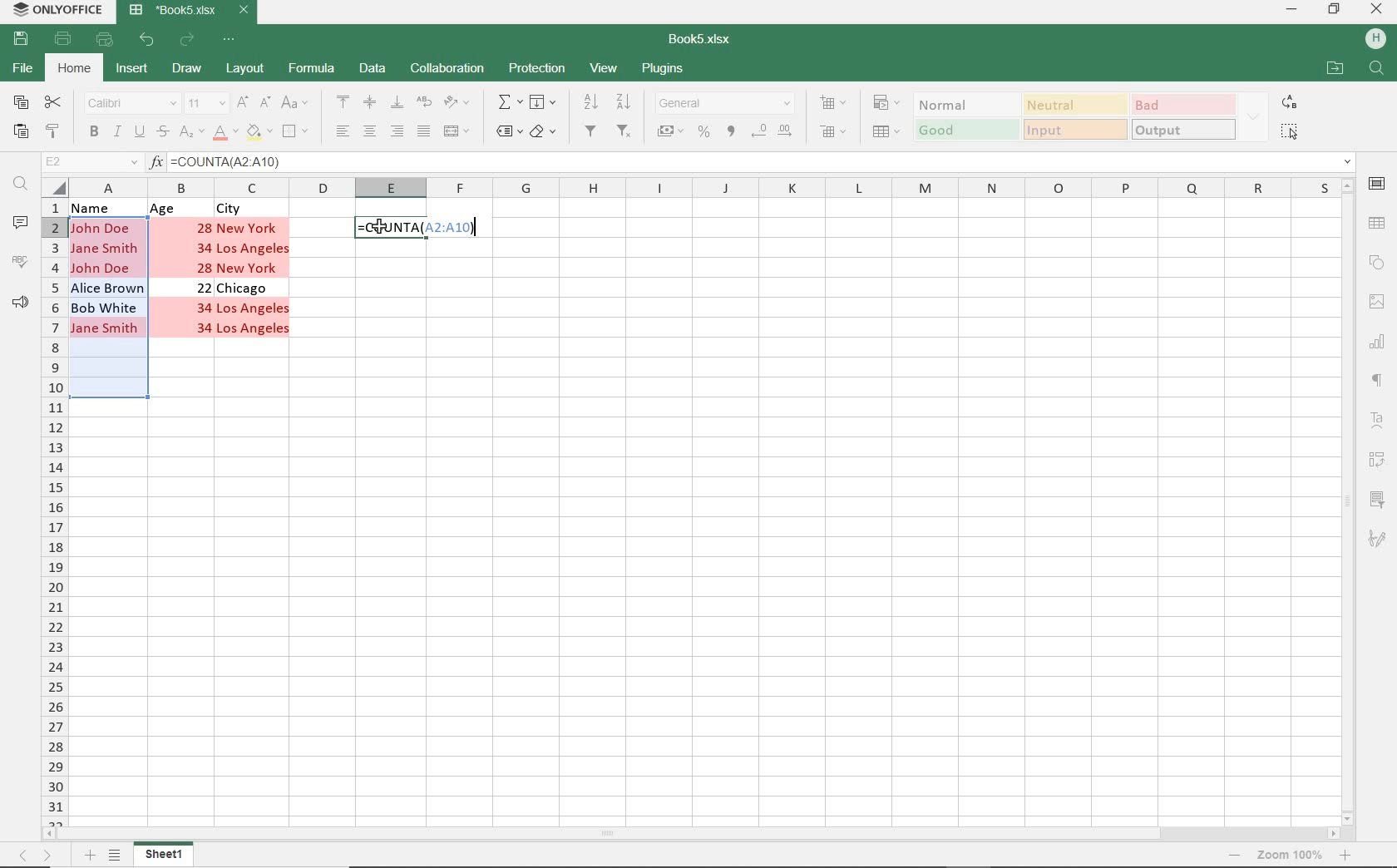  I want to click on Zoom out or zoom in, so click(1291, 854).